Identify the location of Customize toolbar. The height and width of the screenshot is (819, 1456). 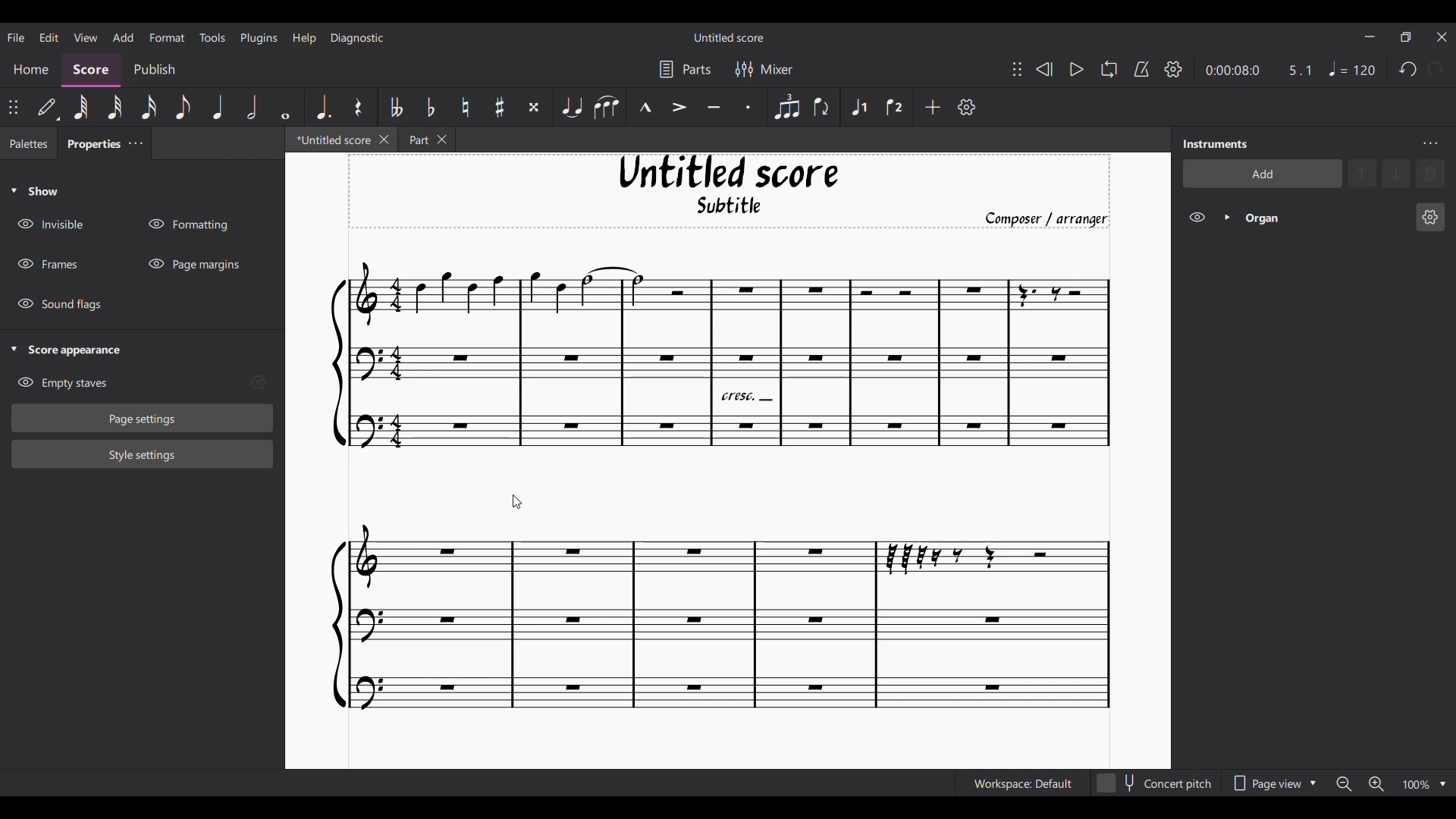
(967, 107).